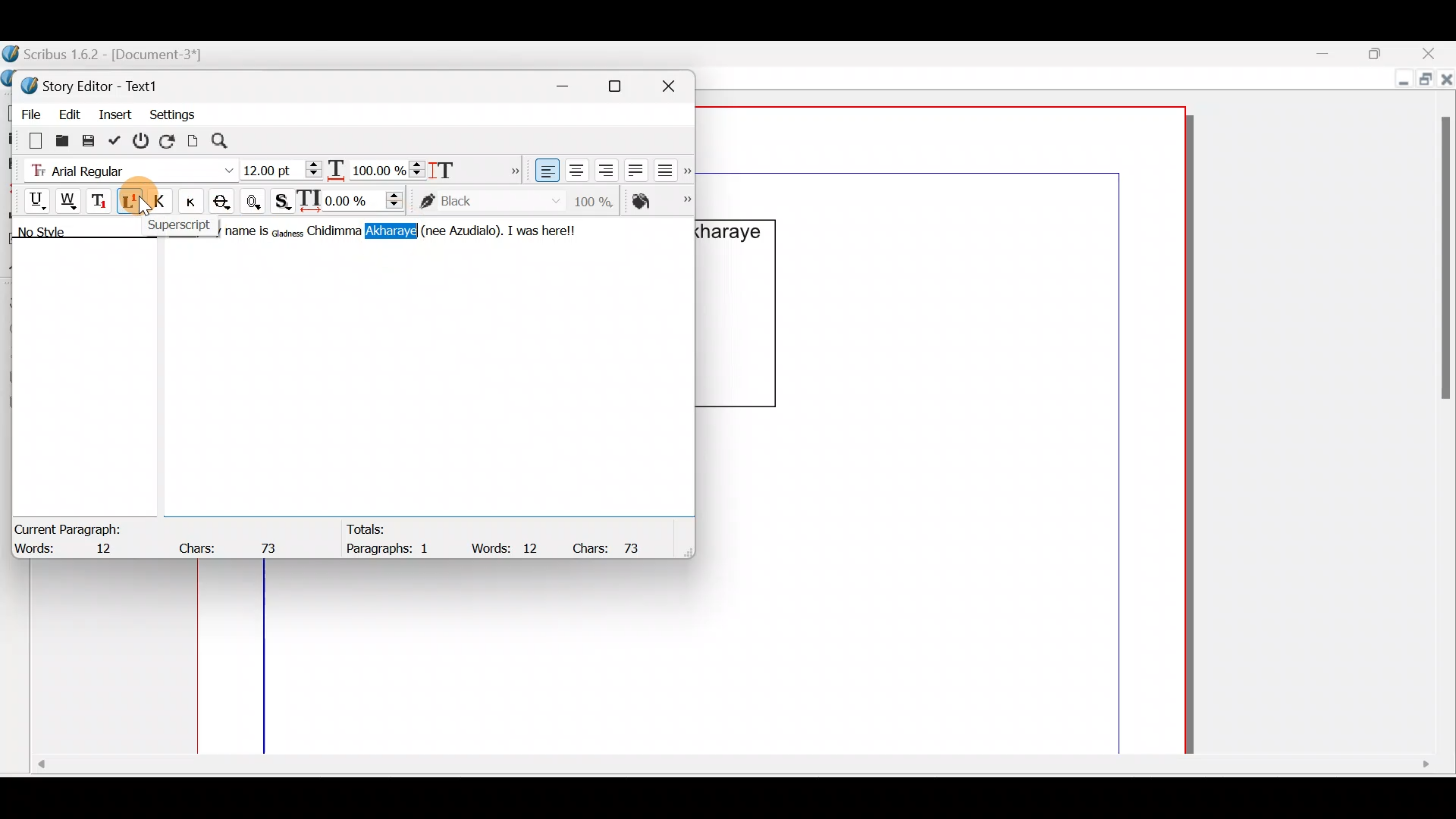  I want to click on Minimize, so click(1334, 54).